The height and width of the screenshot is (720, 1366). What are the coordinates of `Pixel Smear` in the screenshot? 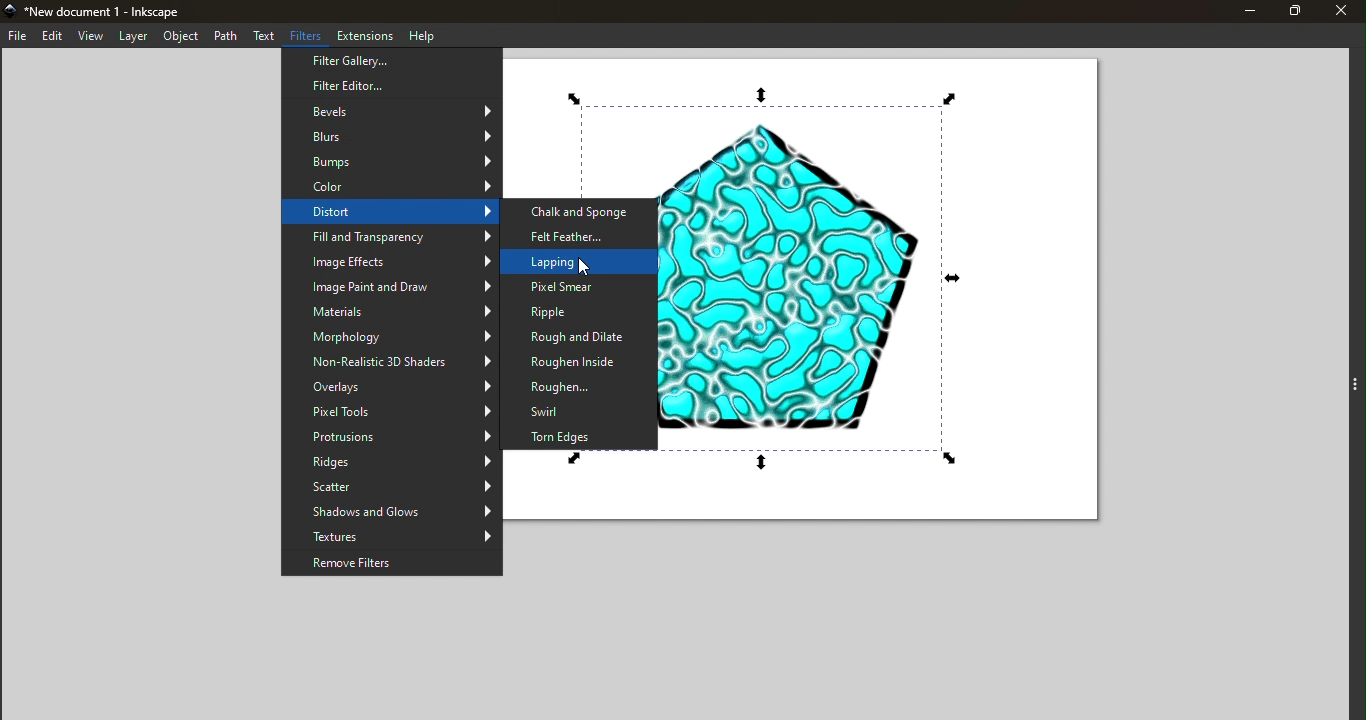 It's located at (579, 287).